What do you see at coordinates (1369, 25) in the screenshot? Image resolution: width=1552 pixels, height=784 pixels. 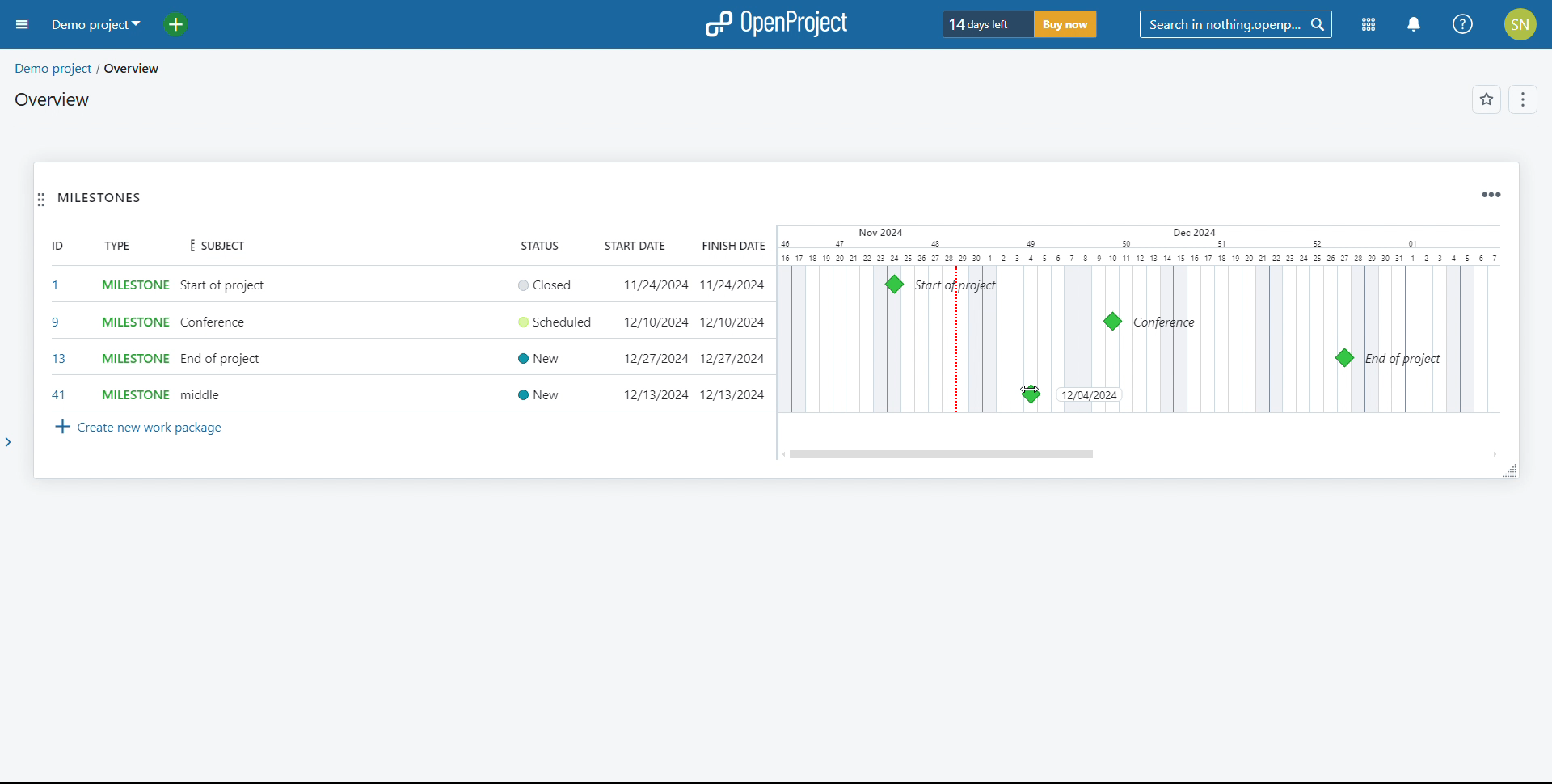 I see `modules` at bounding box center [1369, 25].